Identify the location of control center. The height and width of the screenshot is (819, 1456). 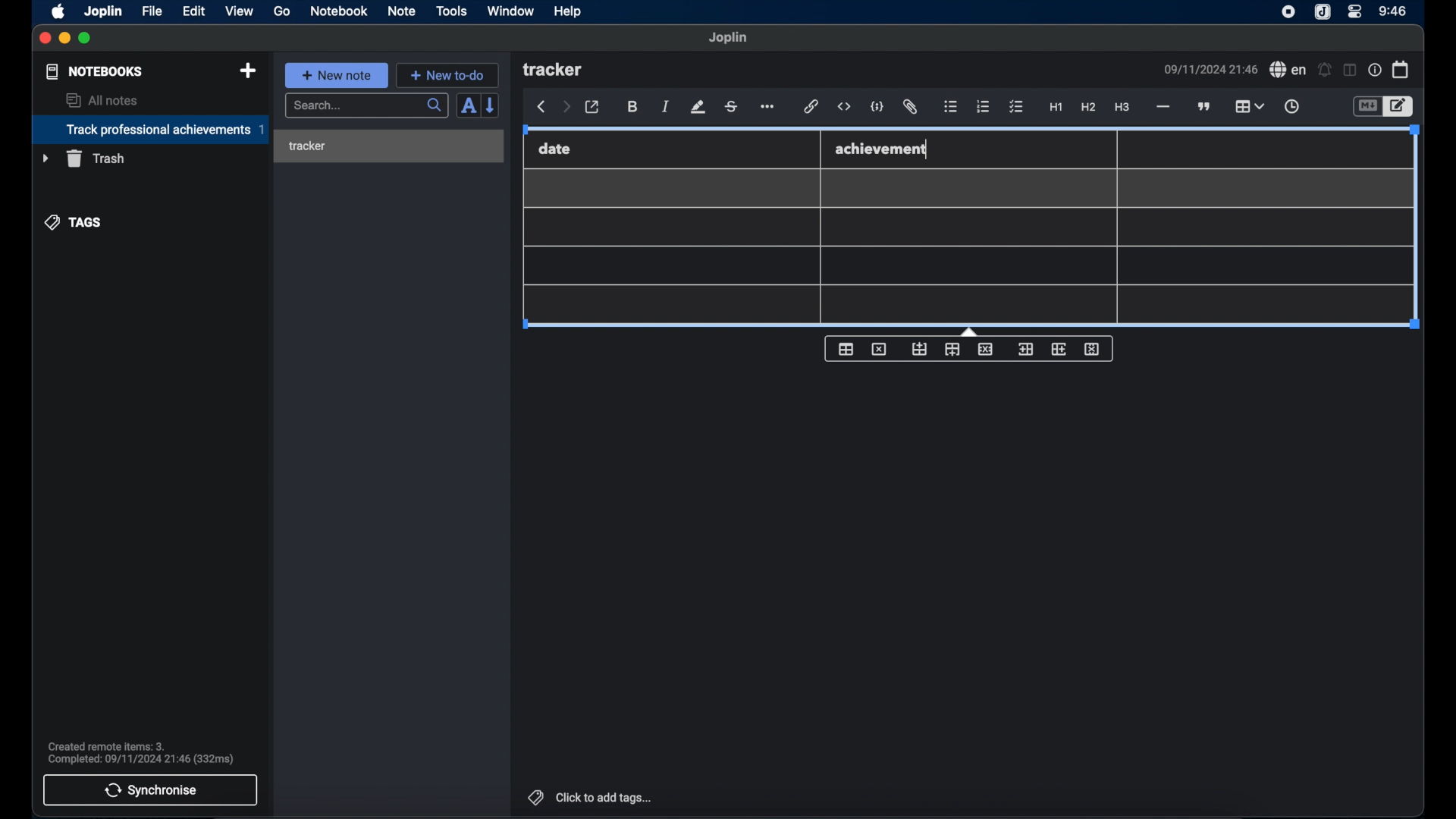
(1355, 12).